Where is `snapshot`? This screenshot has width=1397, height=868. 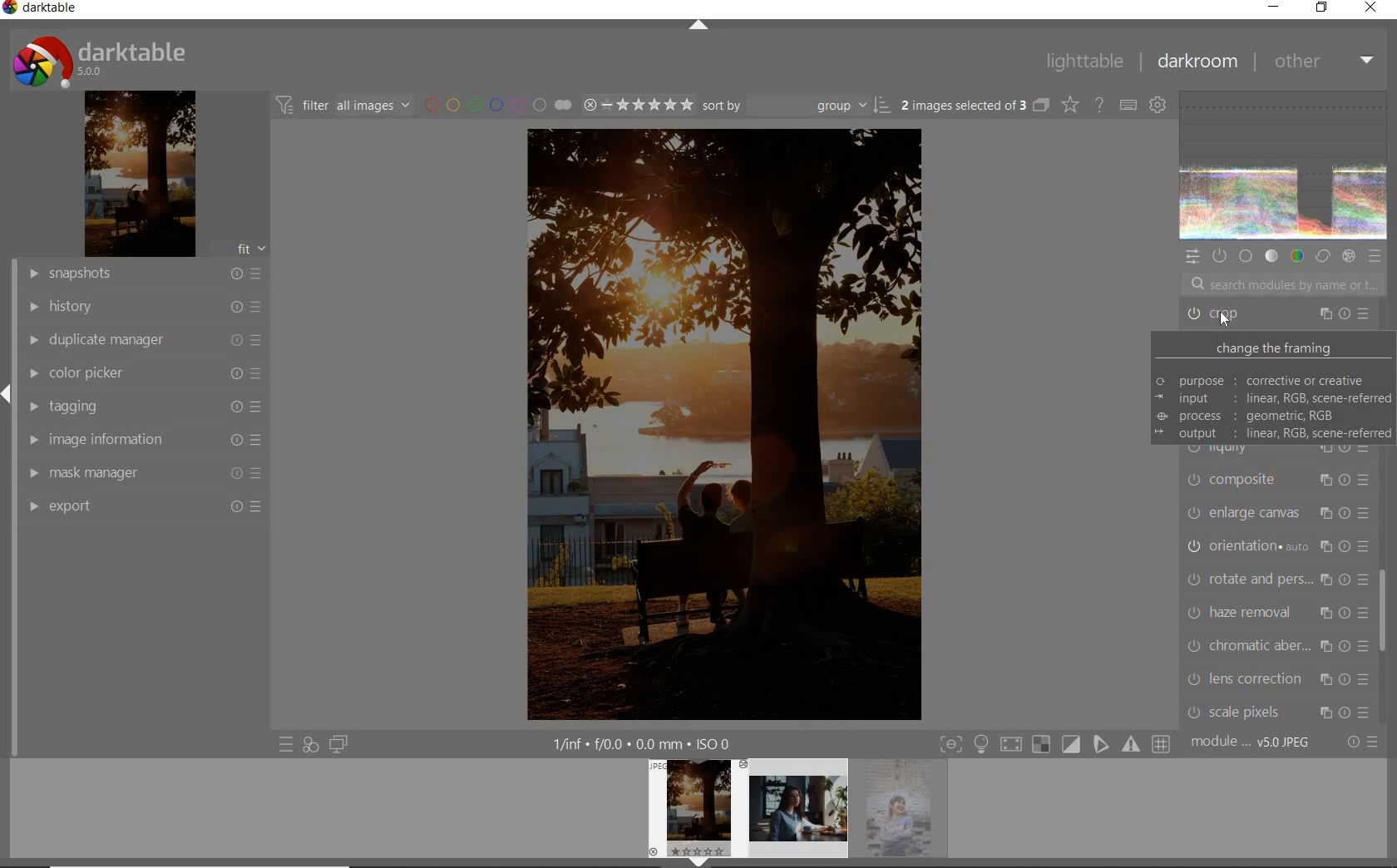 snapshot is located at coordinates (144, 275).